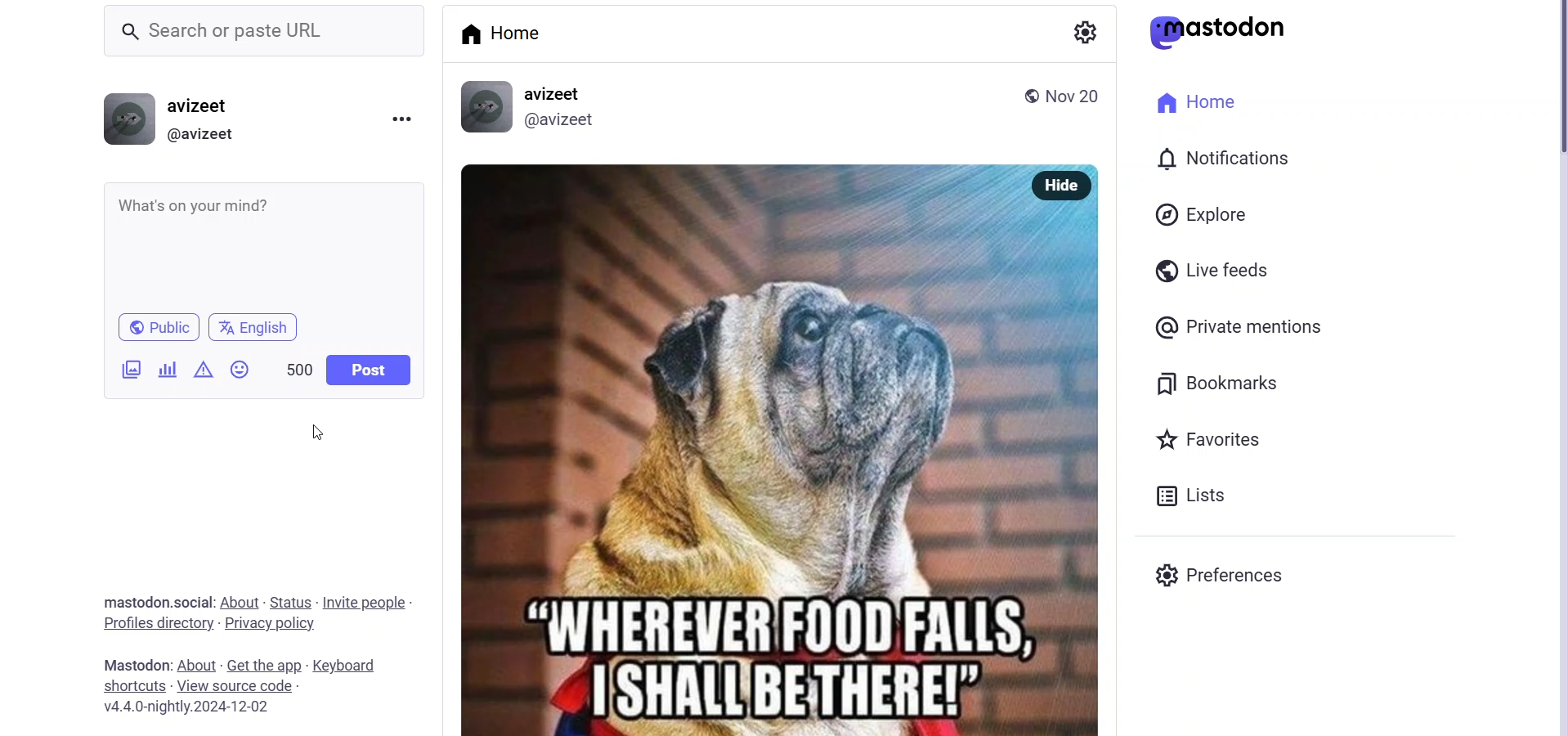 This screenshot has width=1568, height=736. I want to click on avizeet, so click(558, 94).